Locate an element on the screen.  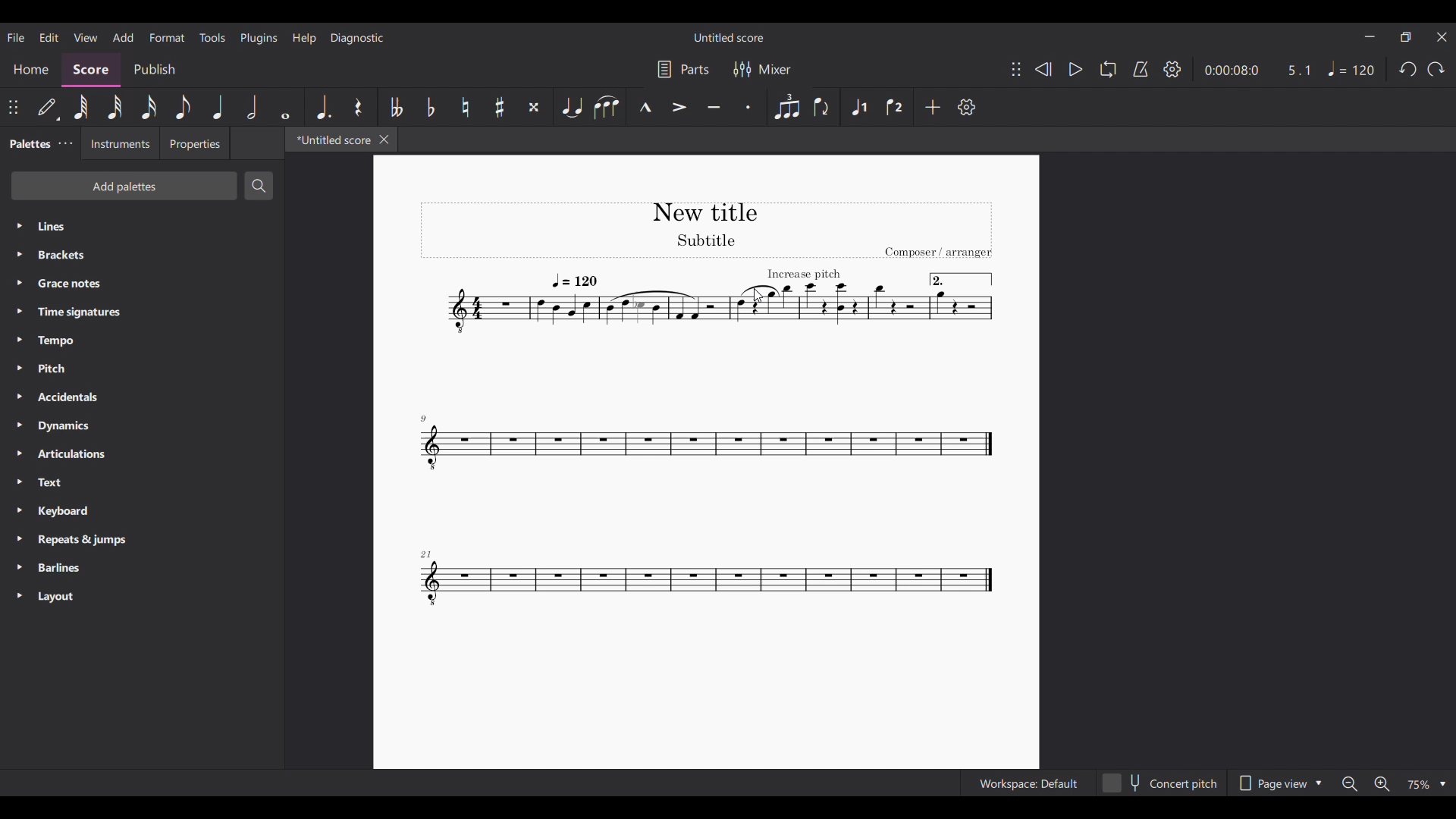
Tuplet is located at coordinates (787, 106).